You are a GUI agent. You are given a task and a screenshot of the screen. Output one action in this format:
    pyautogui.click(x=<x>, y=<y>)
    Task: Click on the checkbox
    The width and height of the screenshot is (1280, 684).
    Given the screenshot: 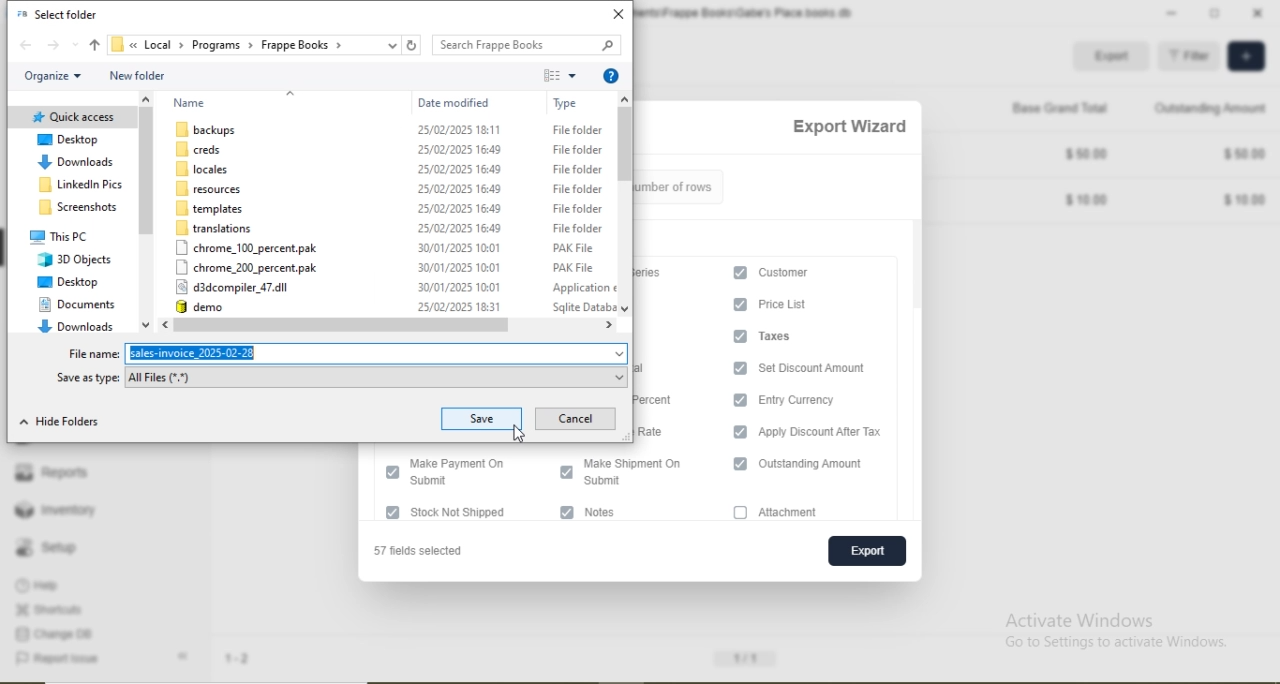 What is the action you would take?
    pyautogui.click(x=741, y=465)
    